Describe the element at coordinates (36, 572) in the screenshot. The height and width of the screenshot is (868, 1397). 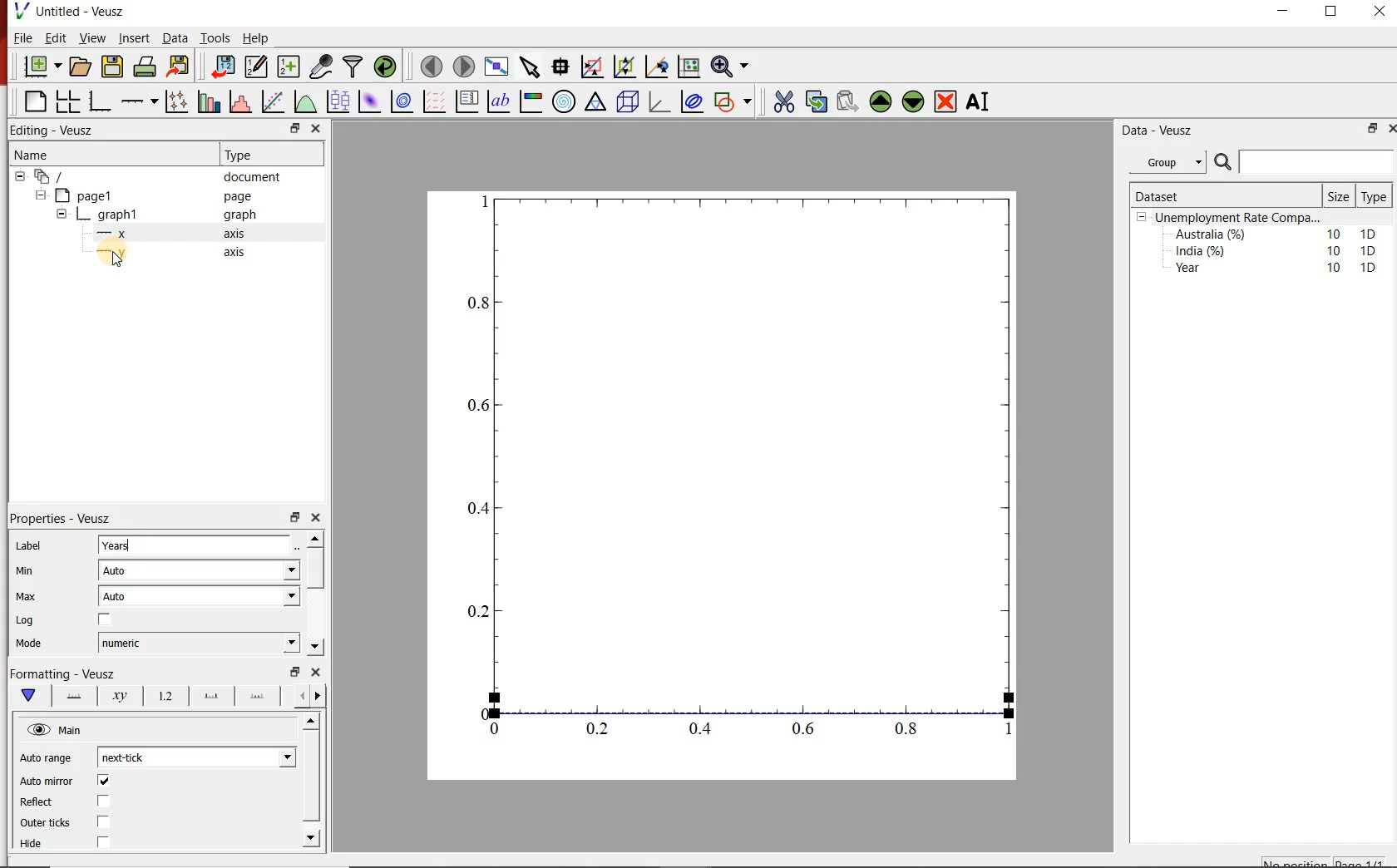
I see `Min` at that location.